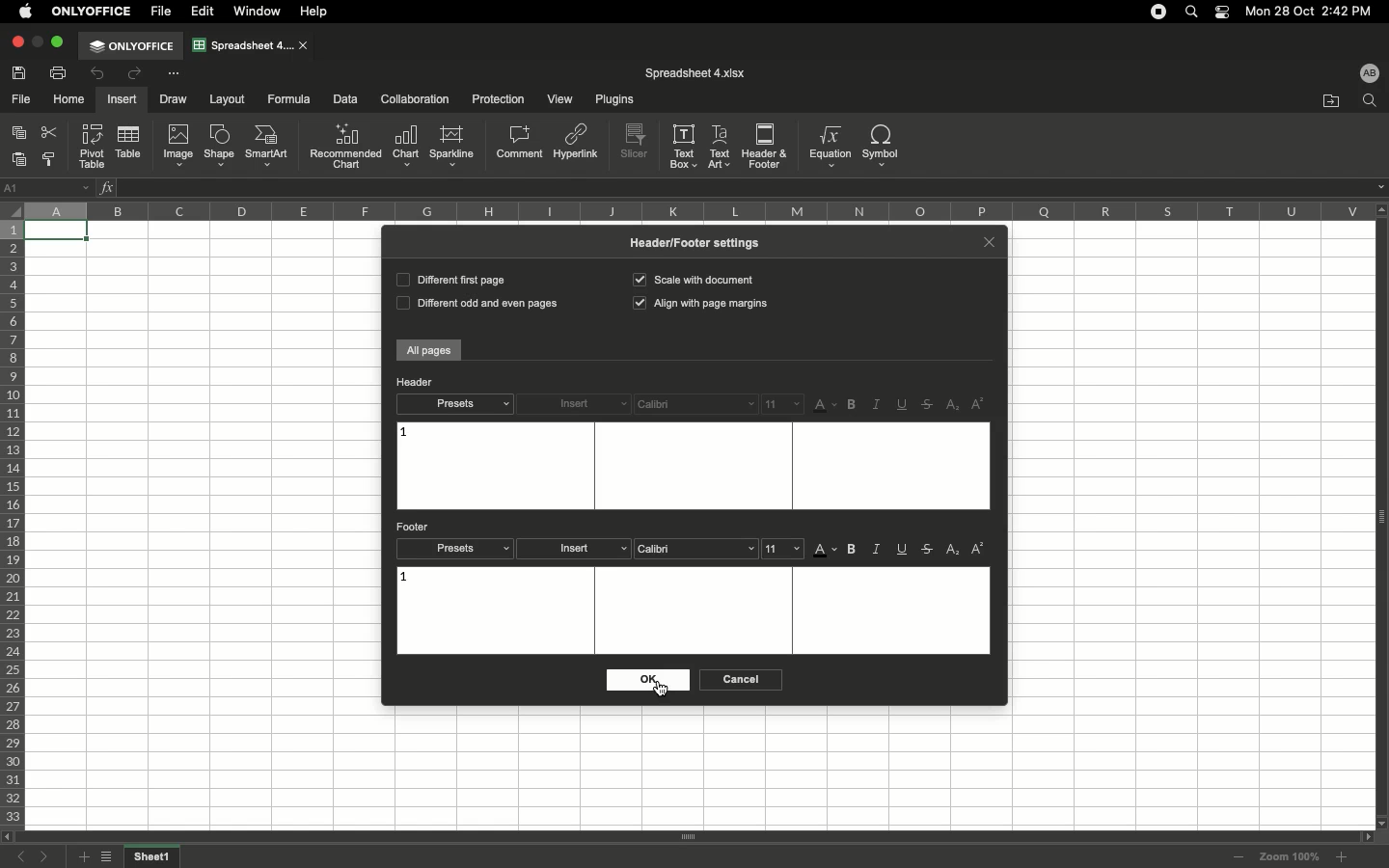 This screenshot has height=868, width=1389. What do you see at coordinates (693, 279) in the screenshot?
I see `Scale with document` at bounding box center [693, 279].